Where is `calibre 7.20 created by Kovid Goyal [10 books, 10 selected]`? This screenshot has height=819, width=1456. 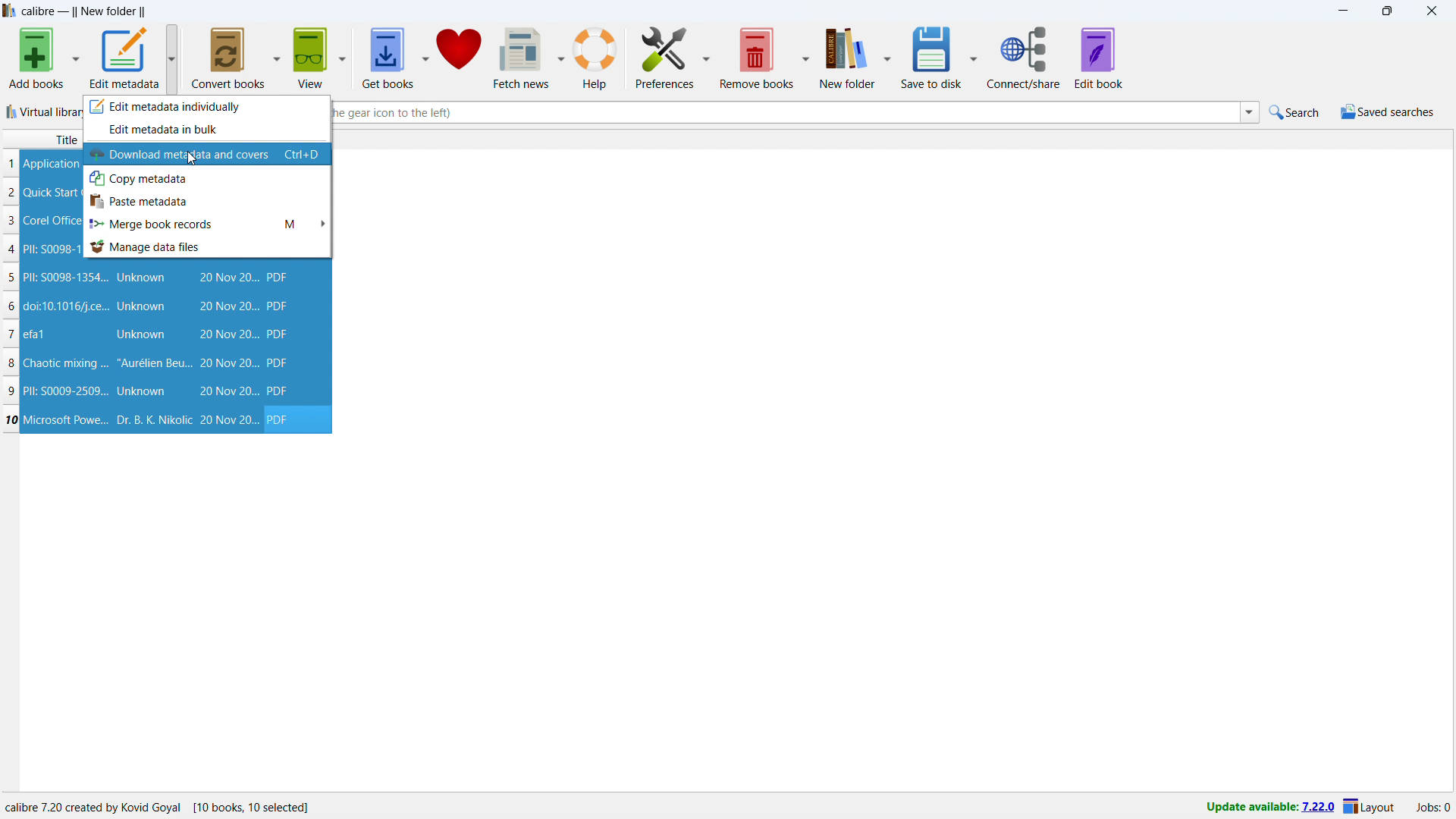 calibre 7.20 created by Kovid Goyal [10 books, 10 selected] is located at coordinates (158, 808).